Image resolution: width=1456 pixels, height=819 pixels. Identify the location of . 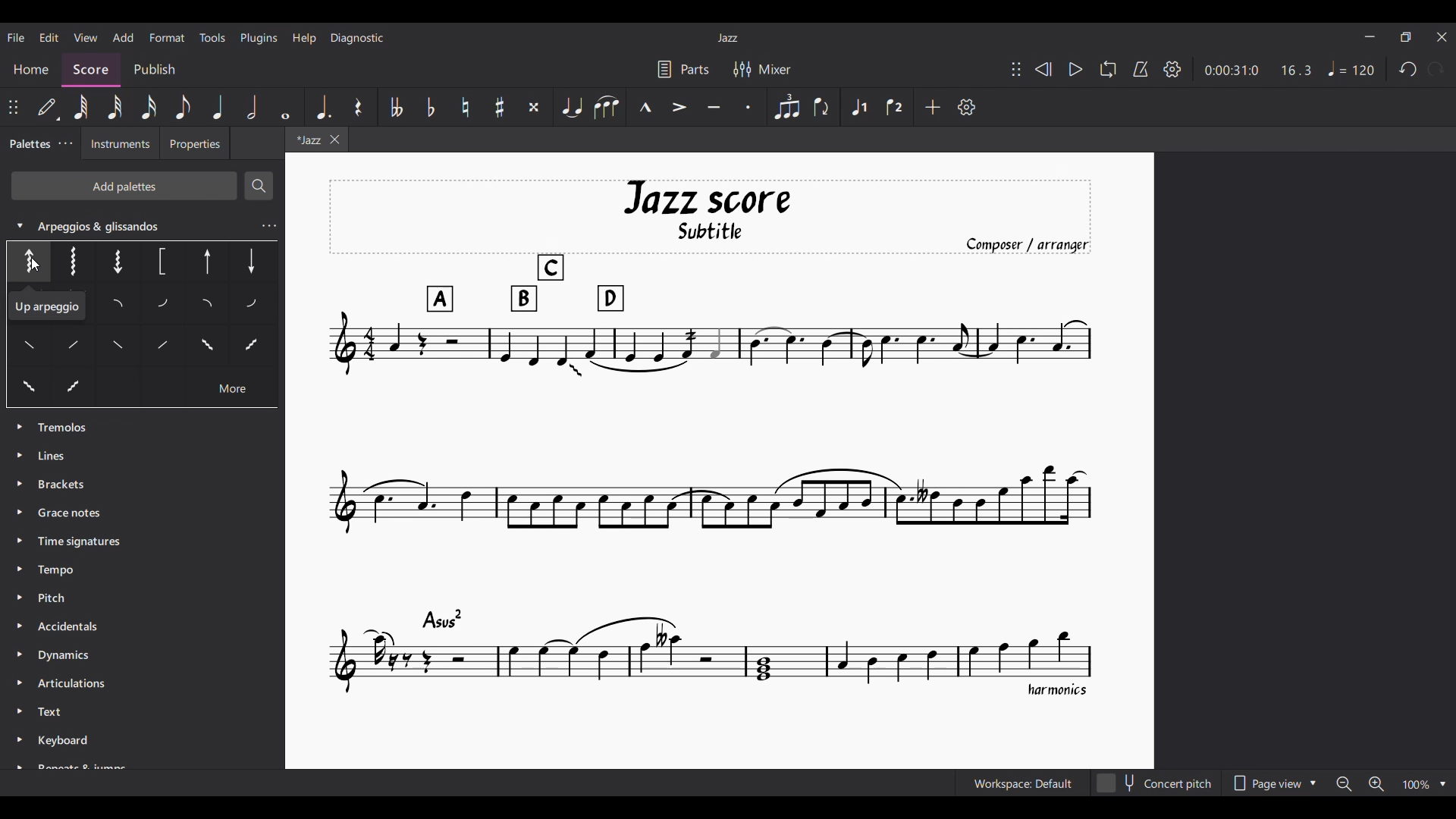
(236, 388).